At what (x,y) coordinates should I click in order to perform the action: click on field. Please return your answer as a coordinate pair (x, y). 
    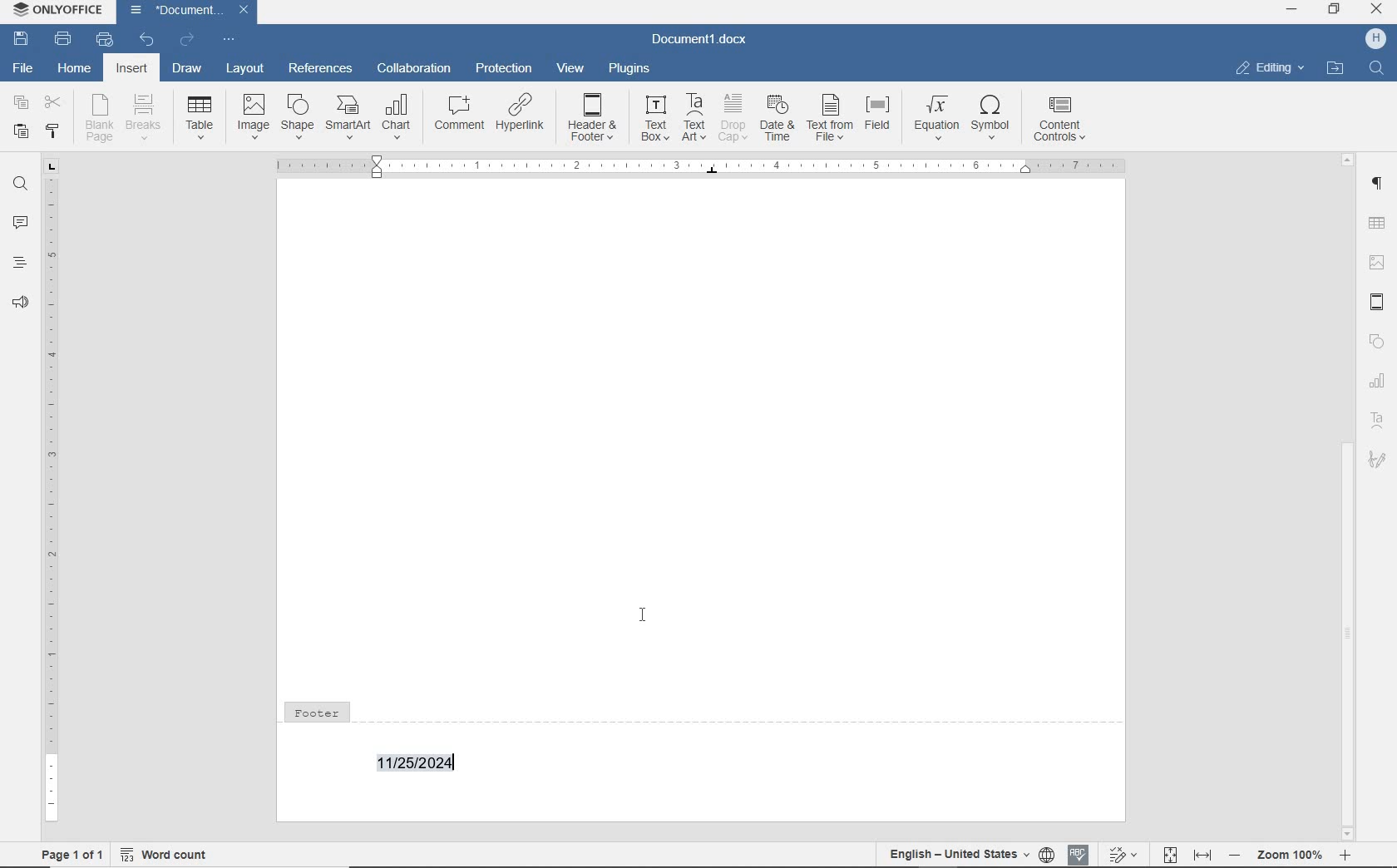
    Looking at the image, I should click on (881, 118).